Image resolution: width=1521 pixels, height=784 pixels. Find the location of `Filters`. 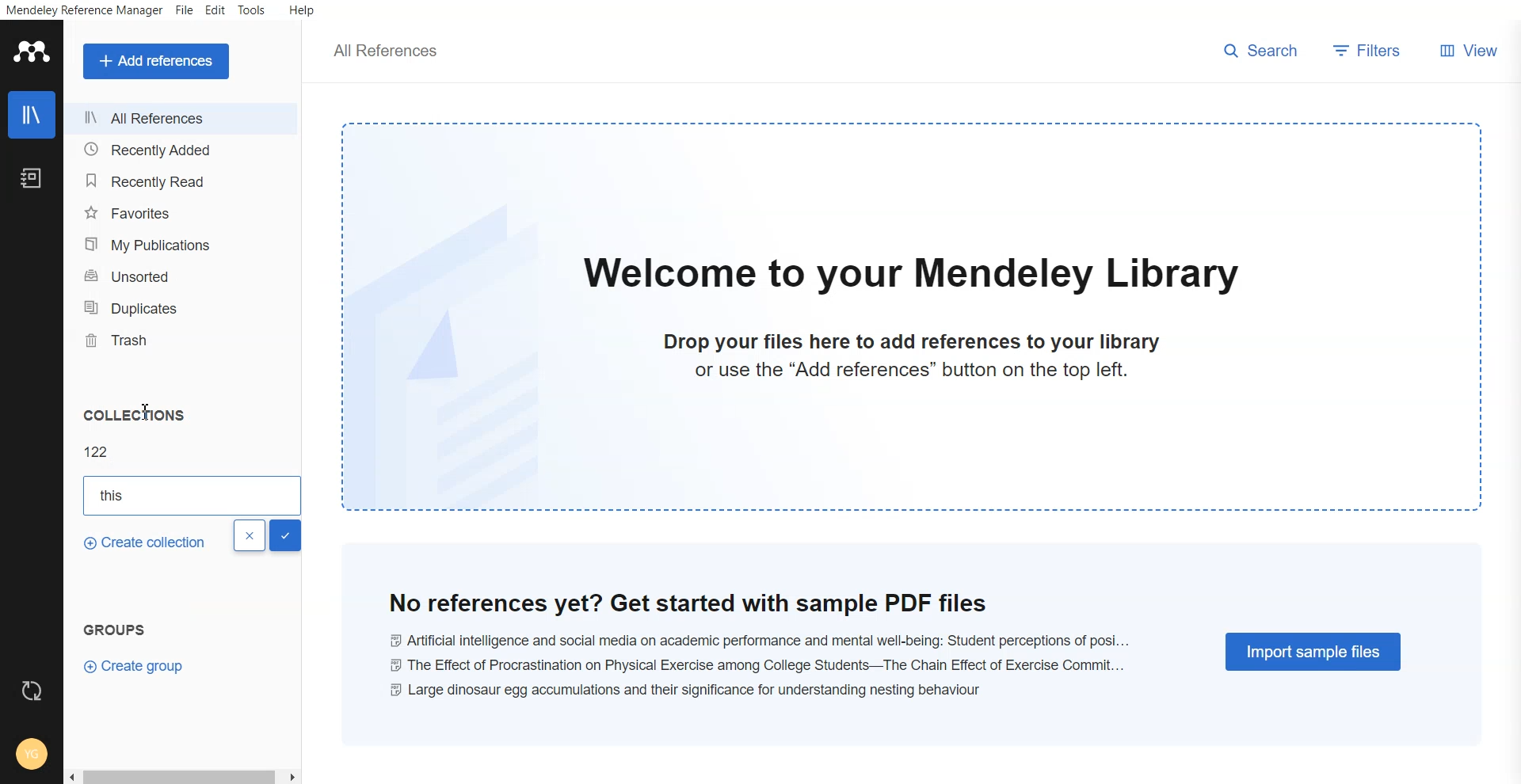

Filters is located at coordinates (1367, 51).